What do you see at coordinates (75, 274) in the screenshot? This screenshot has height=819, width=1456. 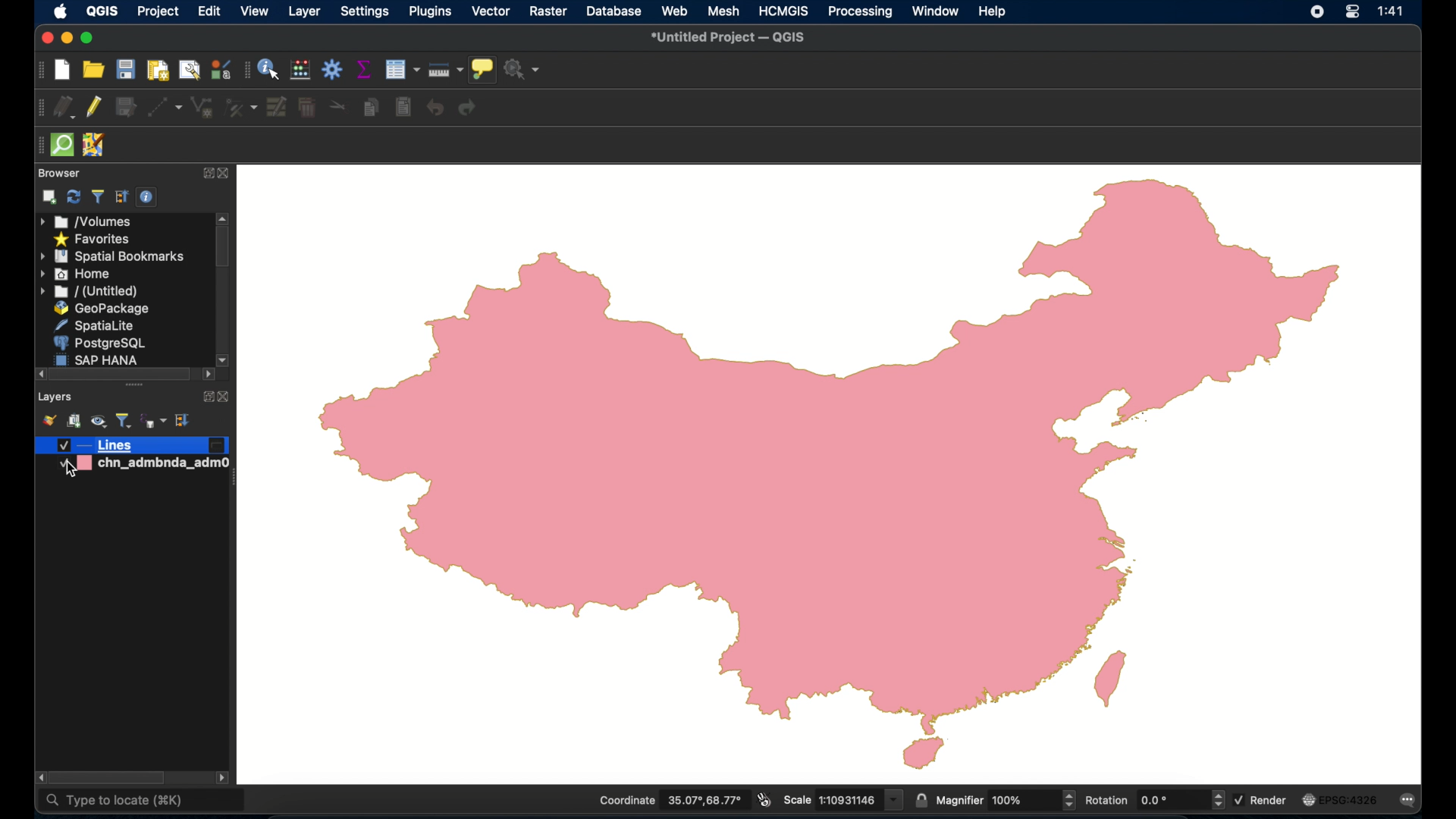 I see `home` at bounding box center [75, 274].